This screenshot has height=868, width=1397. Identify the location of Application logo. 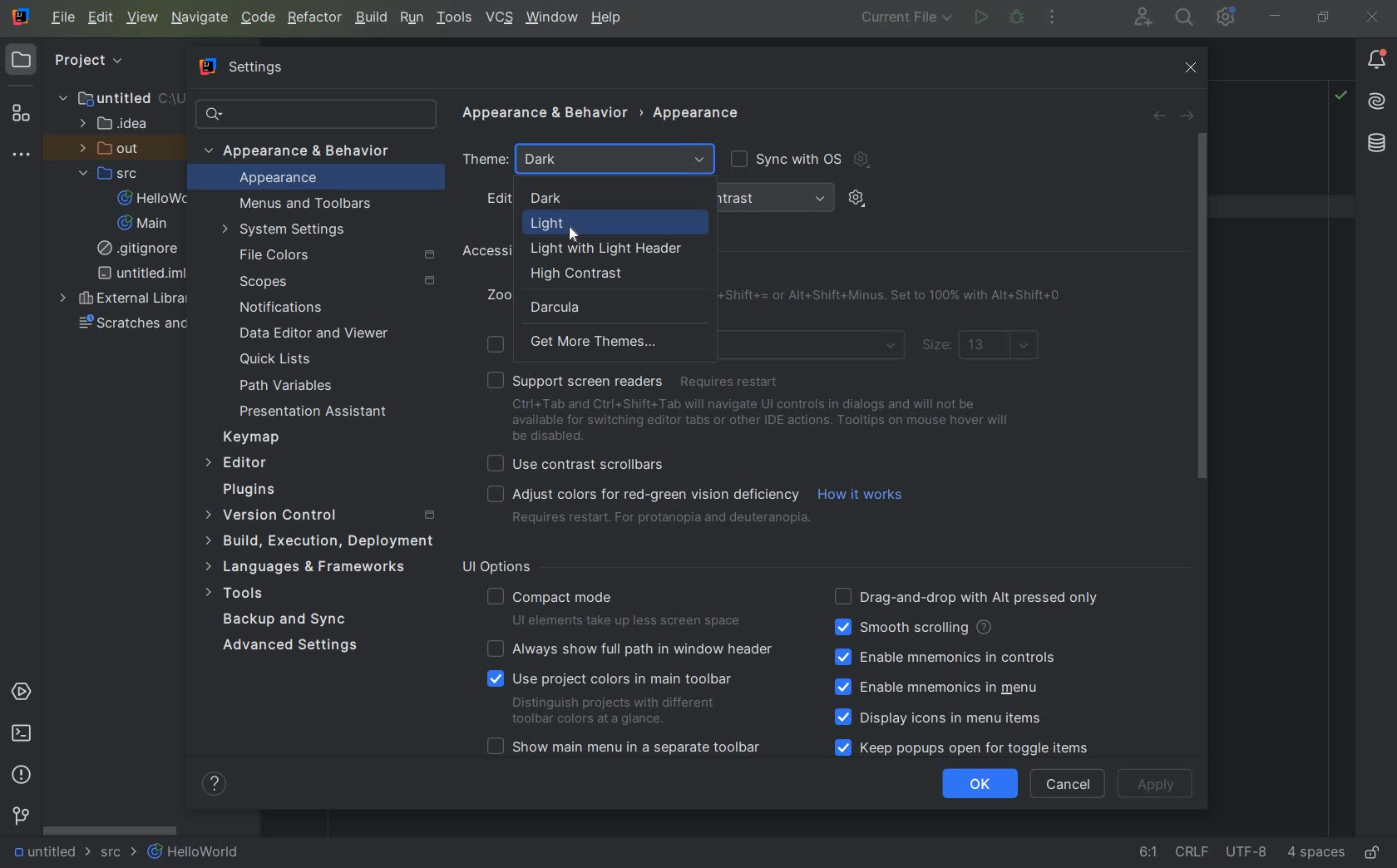
(23, 18).